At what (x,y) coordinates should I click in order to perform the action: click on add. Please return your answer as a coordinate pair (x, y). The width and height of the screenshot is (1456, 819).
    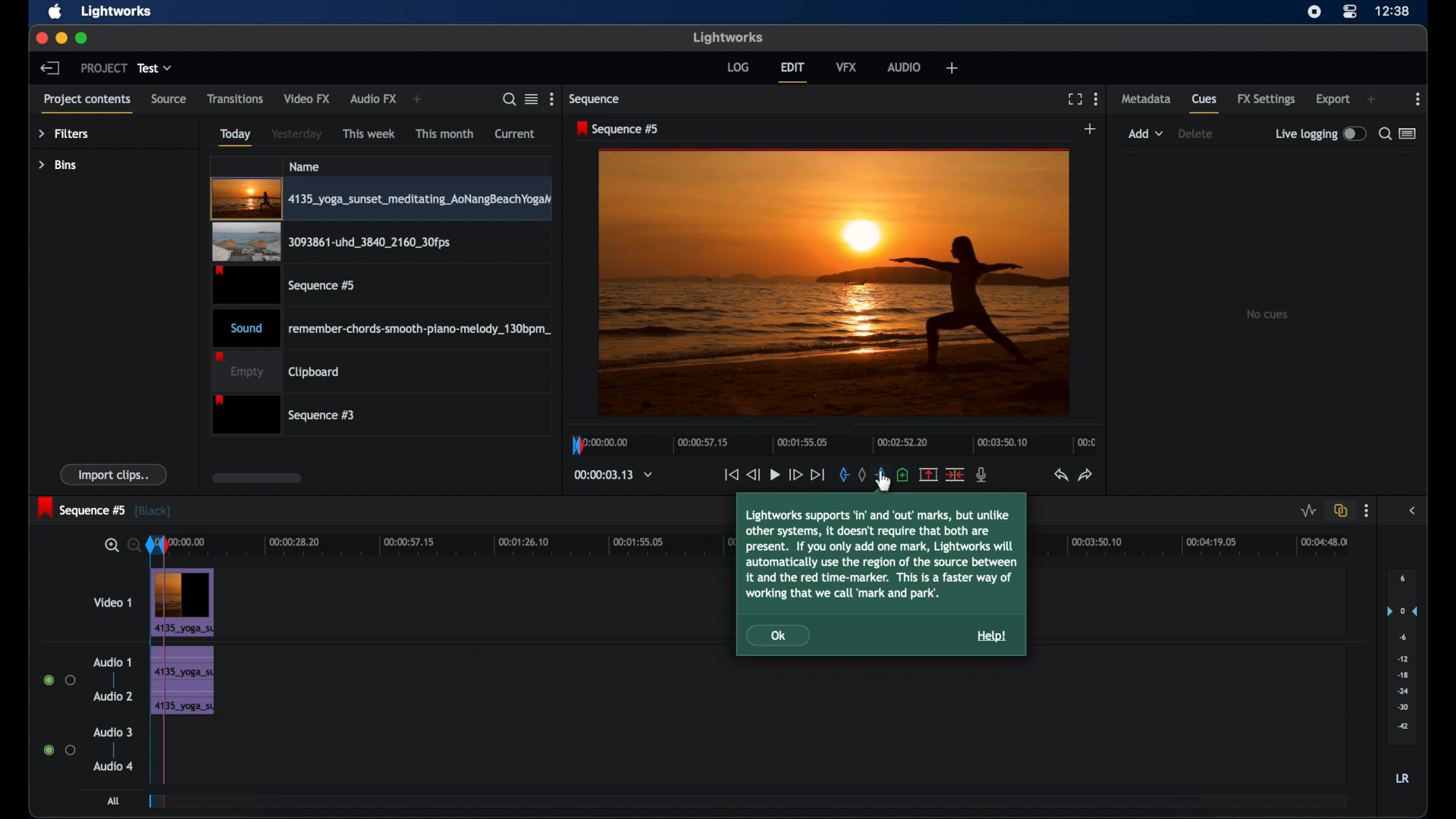
    Looking at the image, I should click on (1371, 99).